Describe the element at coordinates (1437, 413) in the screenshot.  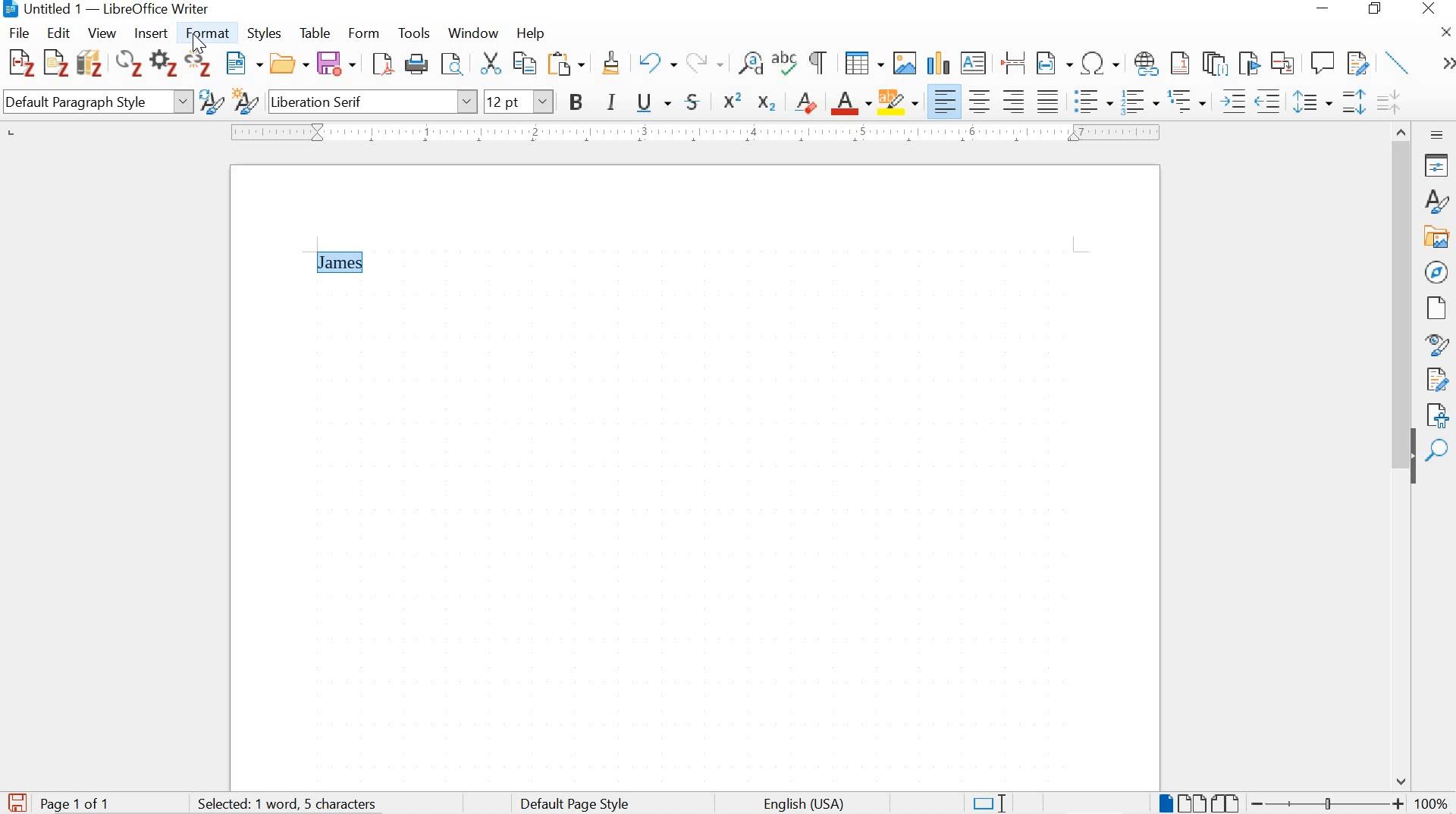
I see `accessibility check` at that location.